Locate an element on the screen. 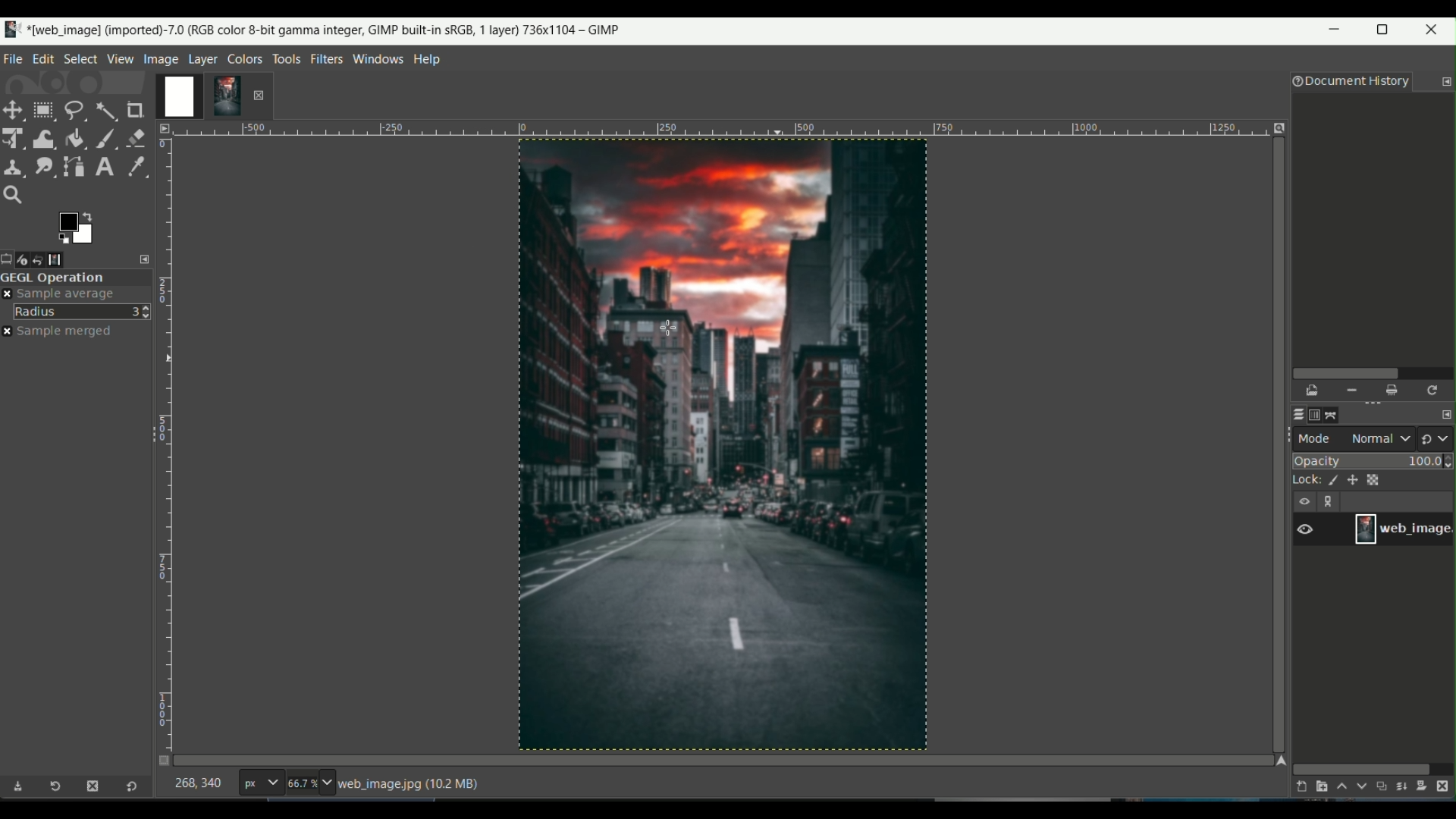  device status is located at coordinates (28, 259).